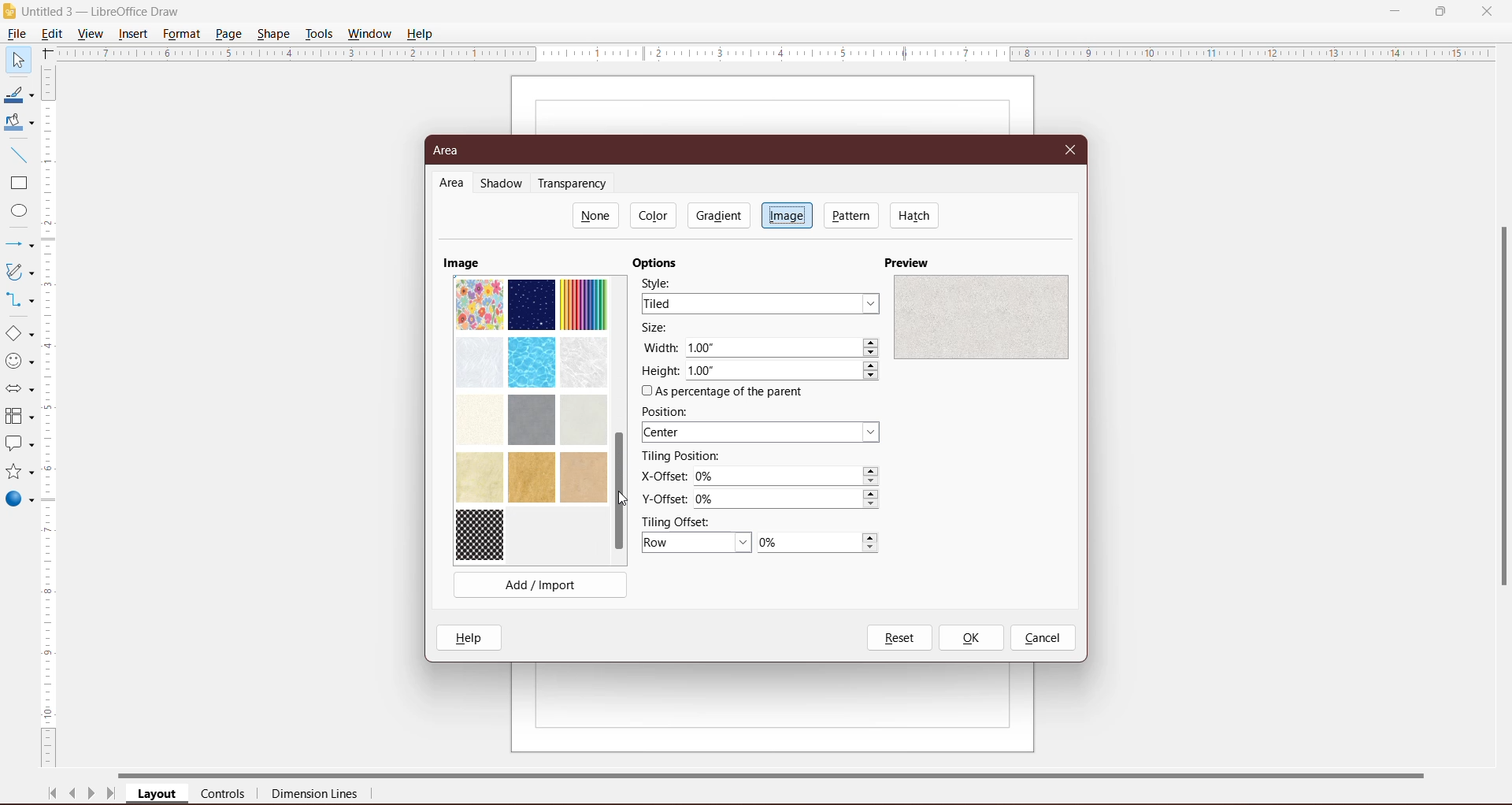  Describe the element at coordinates (19, 362) in the screenshot. I see `Symbol Shapes` at that location.